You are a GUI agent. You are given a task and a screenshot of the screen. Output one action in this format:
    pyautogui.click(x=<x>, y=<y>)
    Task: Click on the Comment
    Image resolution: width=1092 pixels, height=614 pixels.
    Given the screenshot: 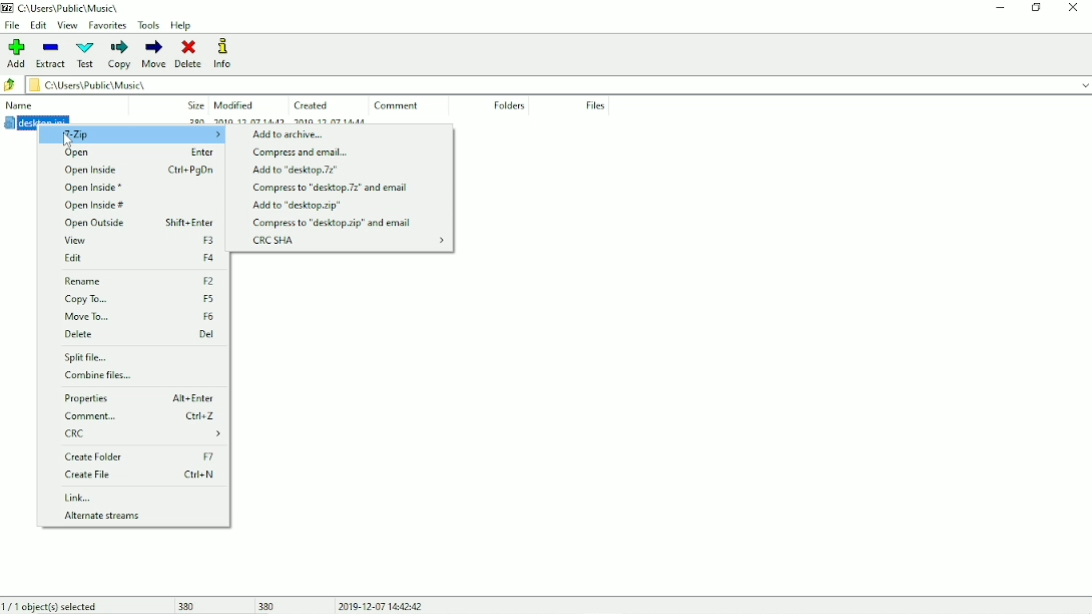 What is the action you would take?
    pyautogui.click(x=398, y=106)
    